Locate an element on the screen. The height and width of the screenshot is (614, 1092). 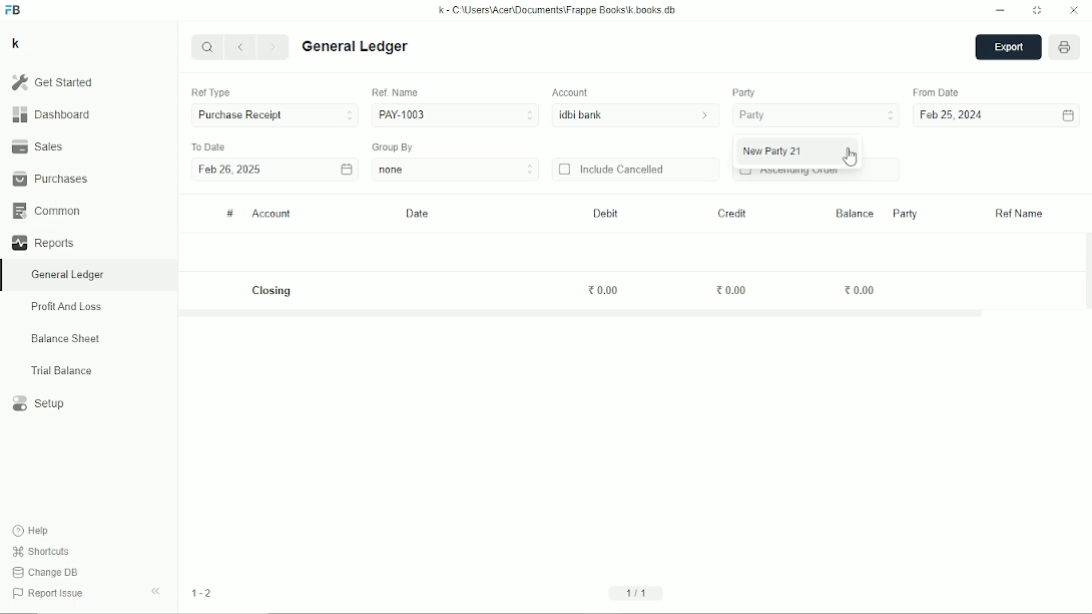
K is located at coordinates (16, 43).